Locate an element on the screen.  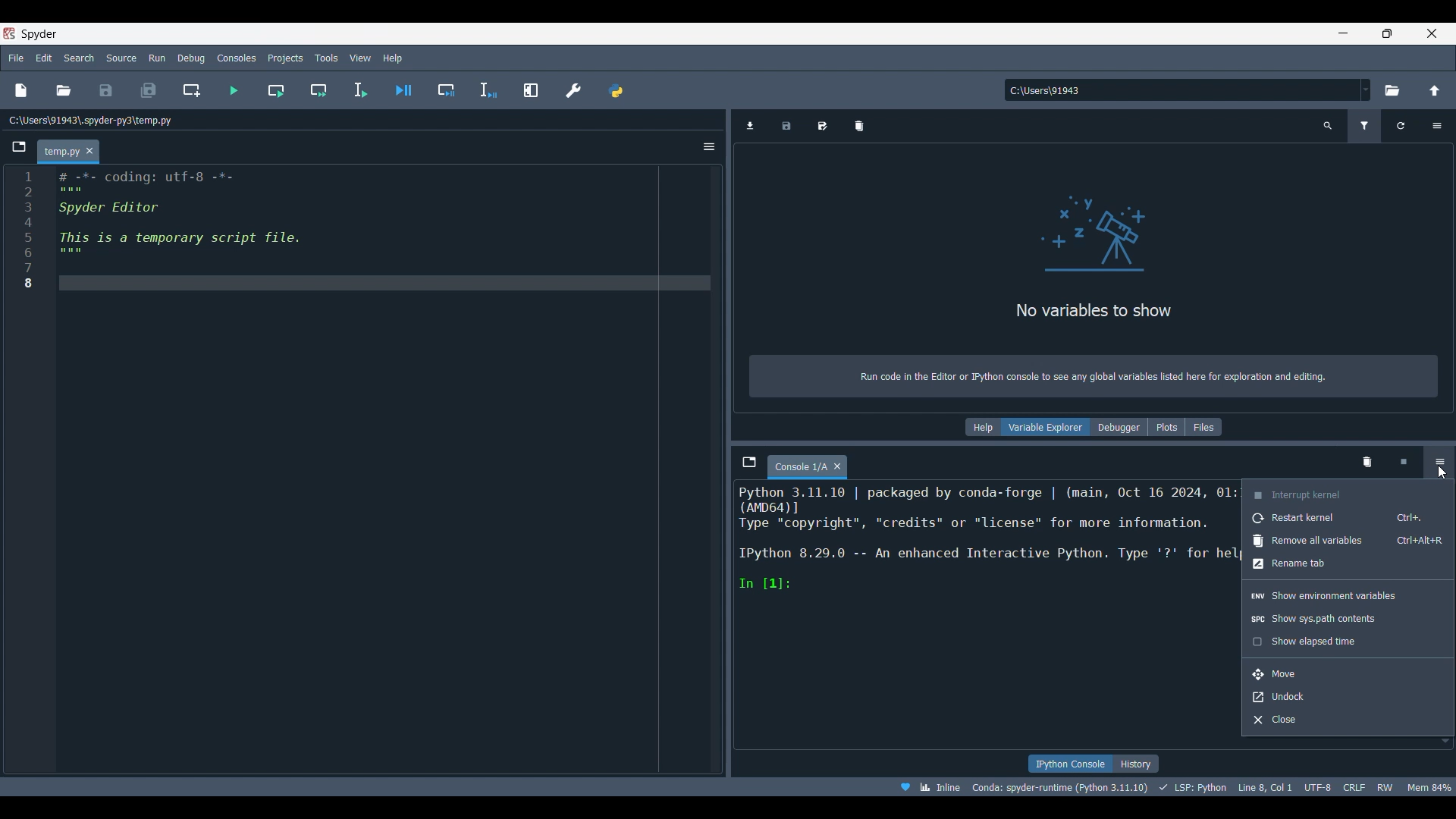
Create new cell at current line is located at coordinates (192, 90).